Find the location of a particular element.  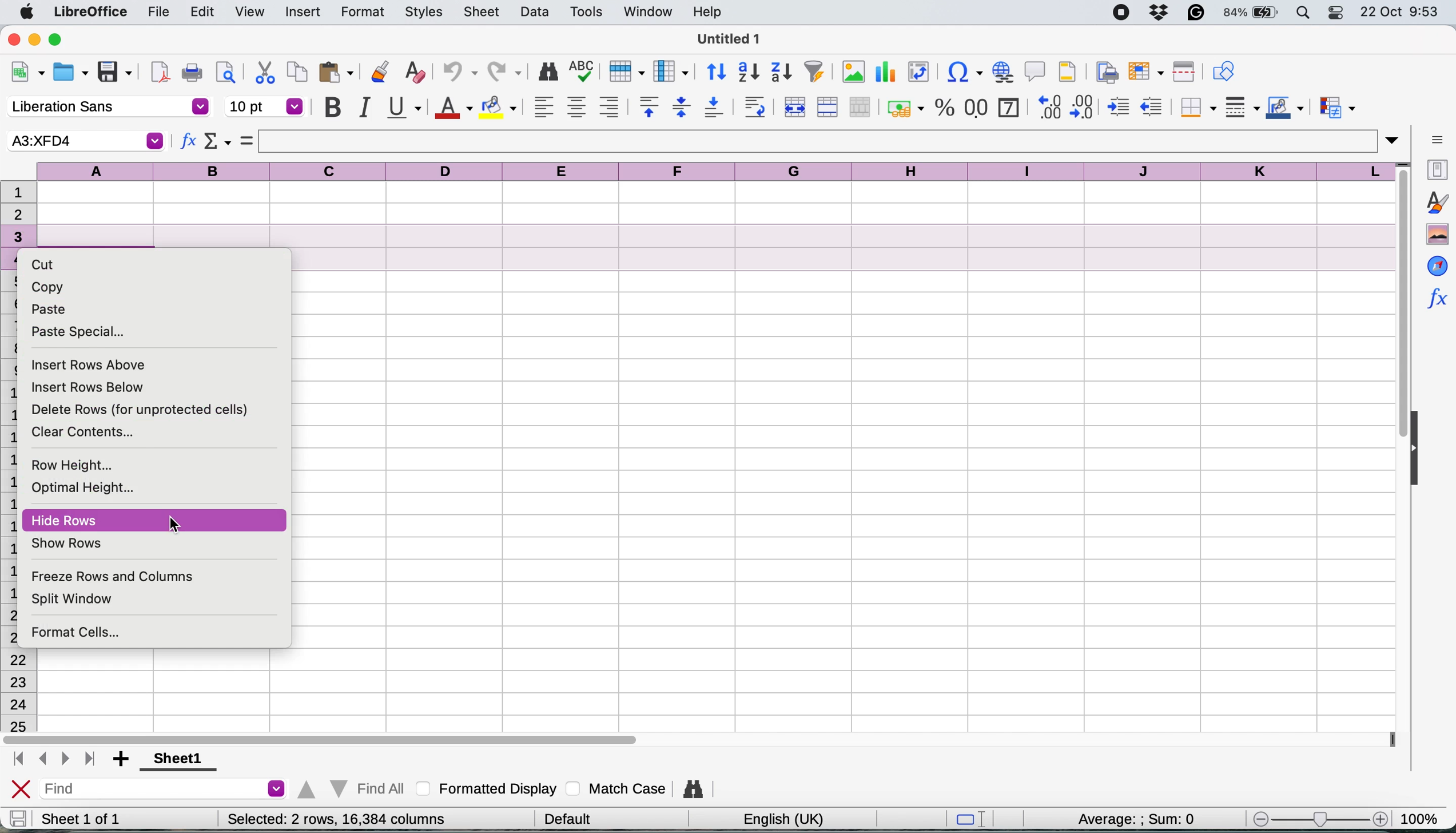

22 oct 9:53 is located at coordinates (1398, 13).